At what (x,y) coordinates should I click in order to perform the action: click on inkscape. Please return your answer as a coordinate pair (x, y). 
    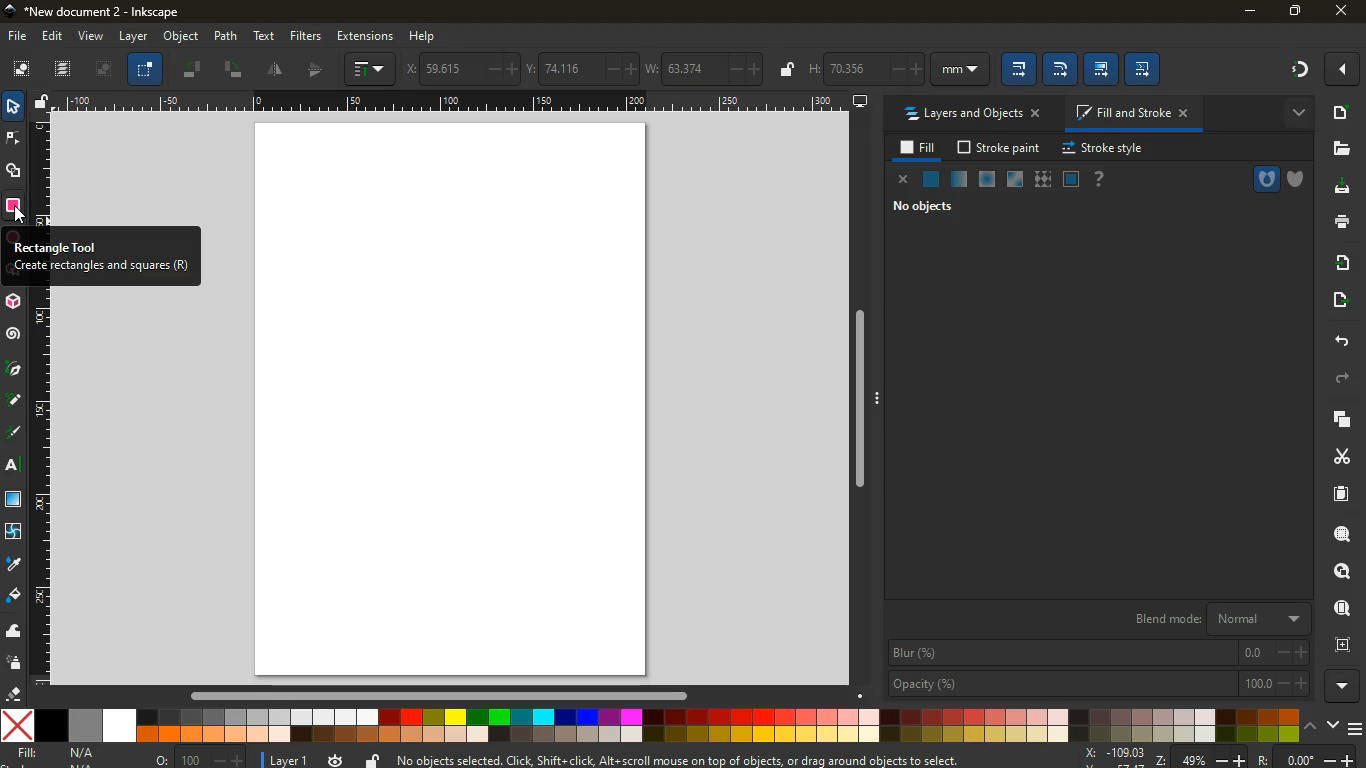
    Looking at the image, I should click on (96, 10).